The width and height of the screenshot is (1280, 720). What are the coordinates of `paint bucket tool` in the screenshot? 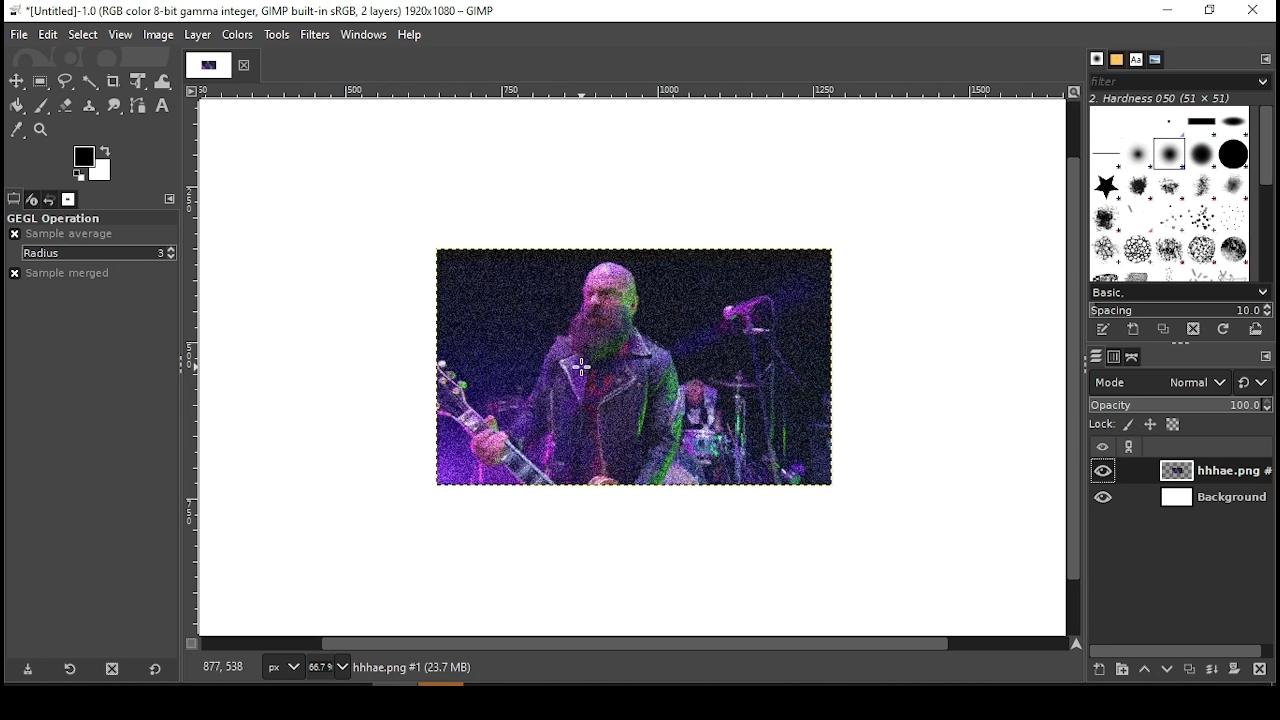 It's located at (16, 105).